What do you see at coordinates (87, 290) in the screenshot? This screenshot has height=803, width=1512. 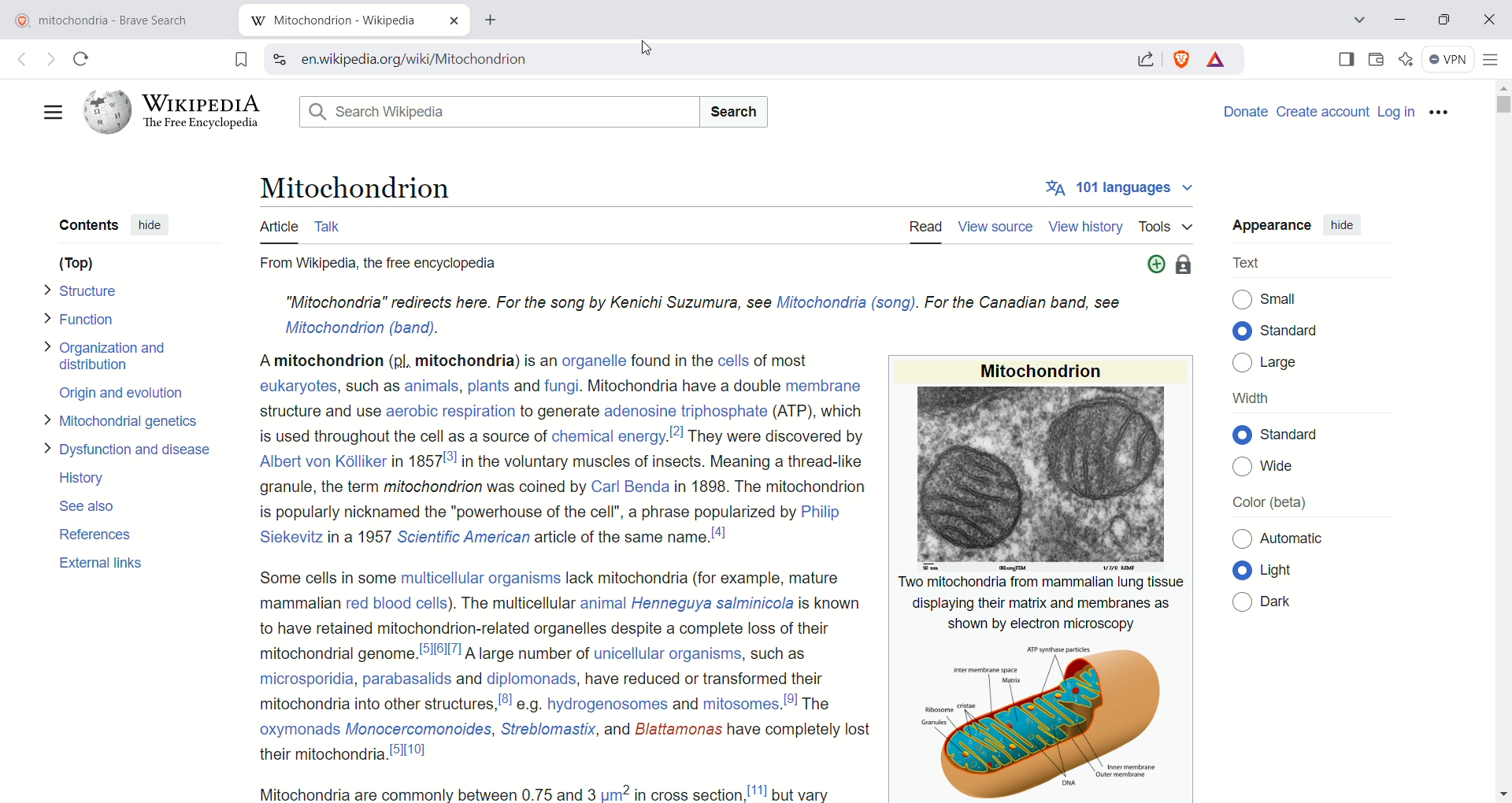 I see `Structure` at bounding box center [87, 290].